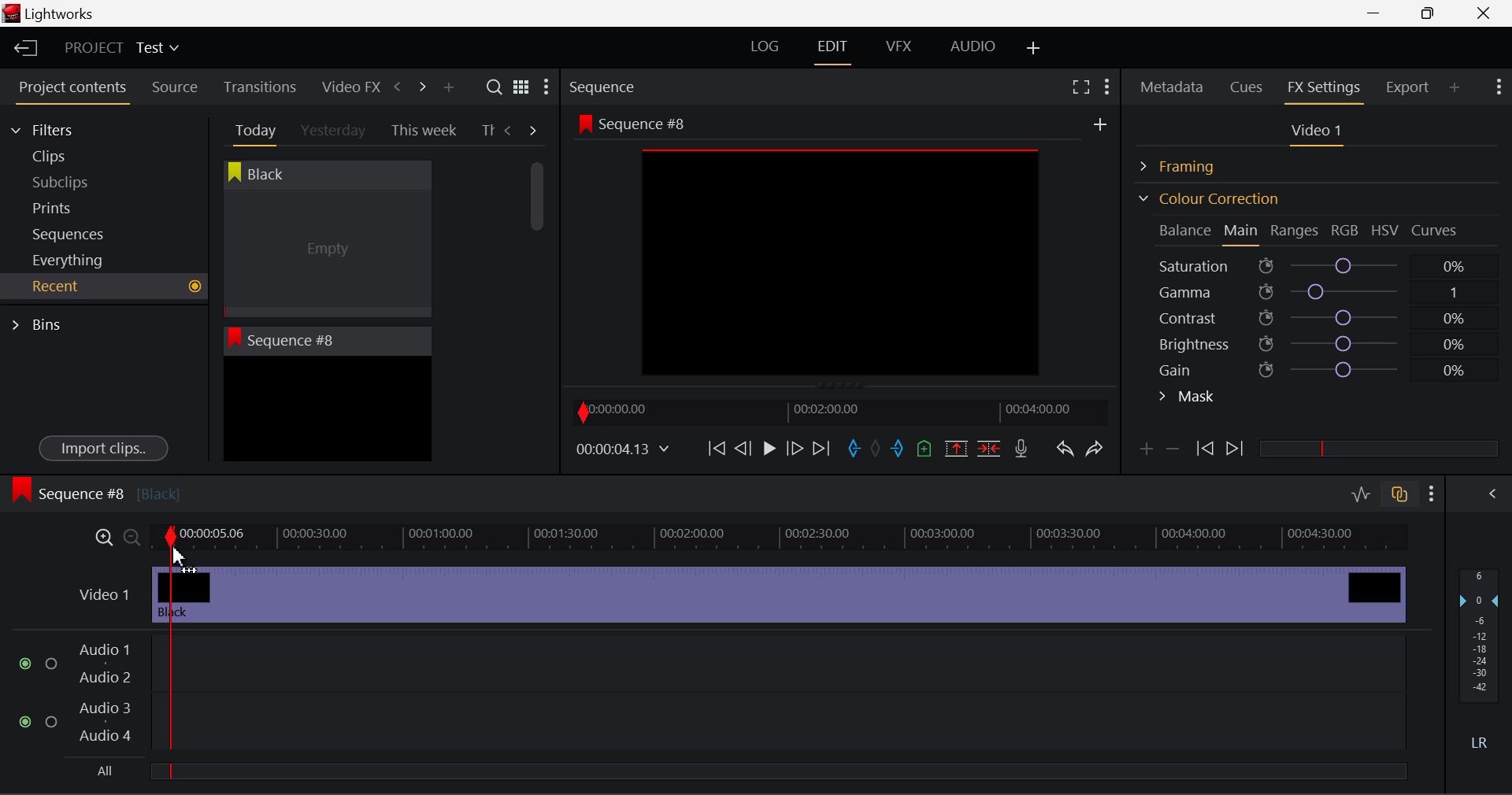  I want to click on Sequence #8 Preview Screen, so click(841, 250).